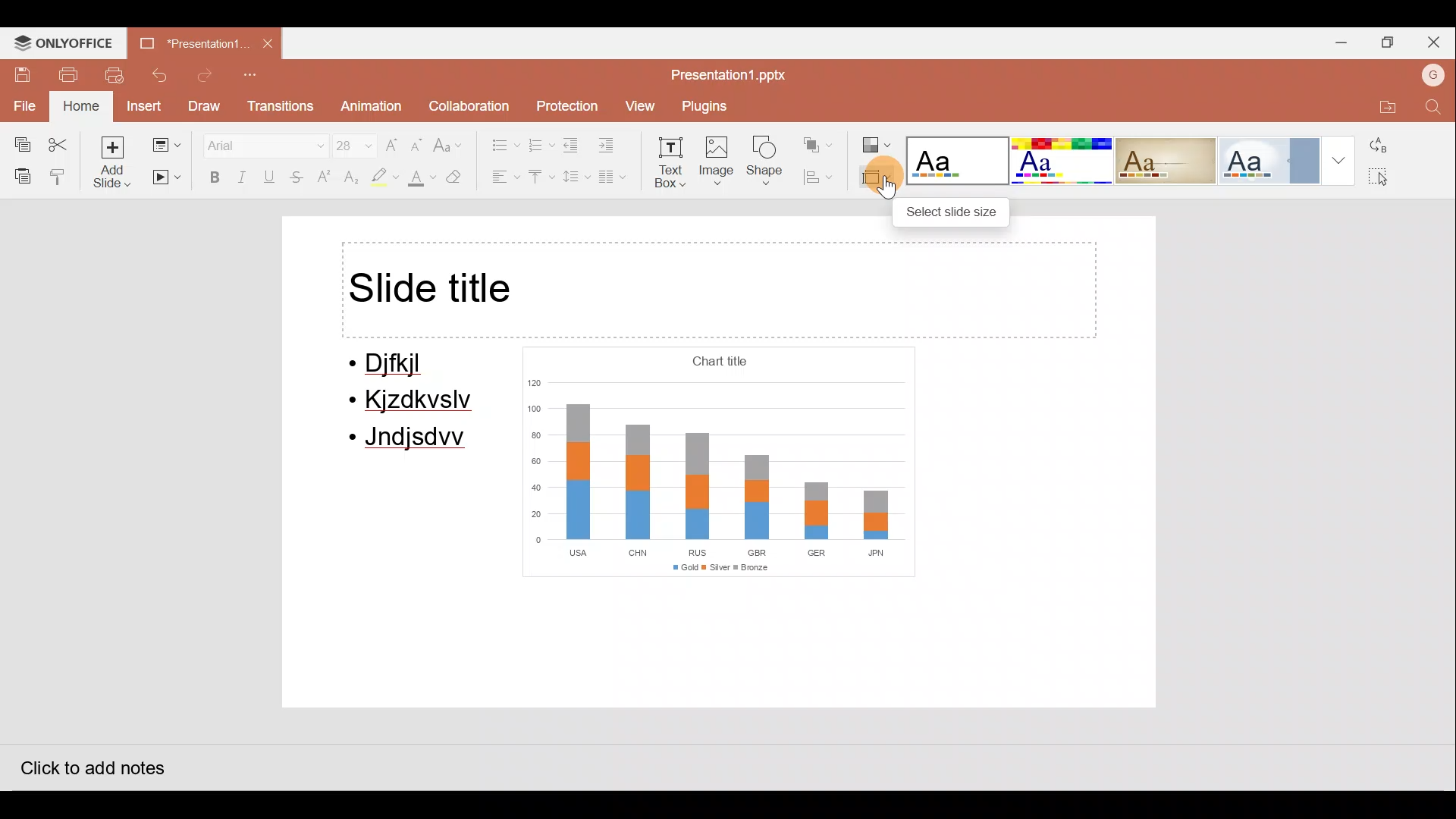 This screenshot has height=819, width=1456. Describe the element at coordinates (19, 175) in the screenshot. I see `Paste` at that location.